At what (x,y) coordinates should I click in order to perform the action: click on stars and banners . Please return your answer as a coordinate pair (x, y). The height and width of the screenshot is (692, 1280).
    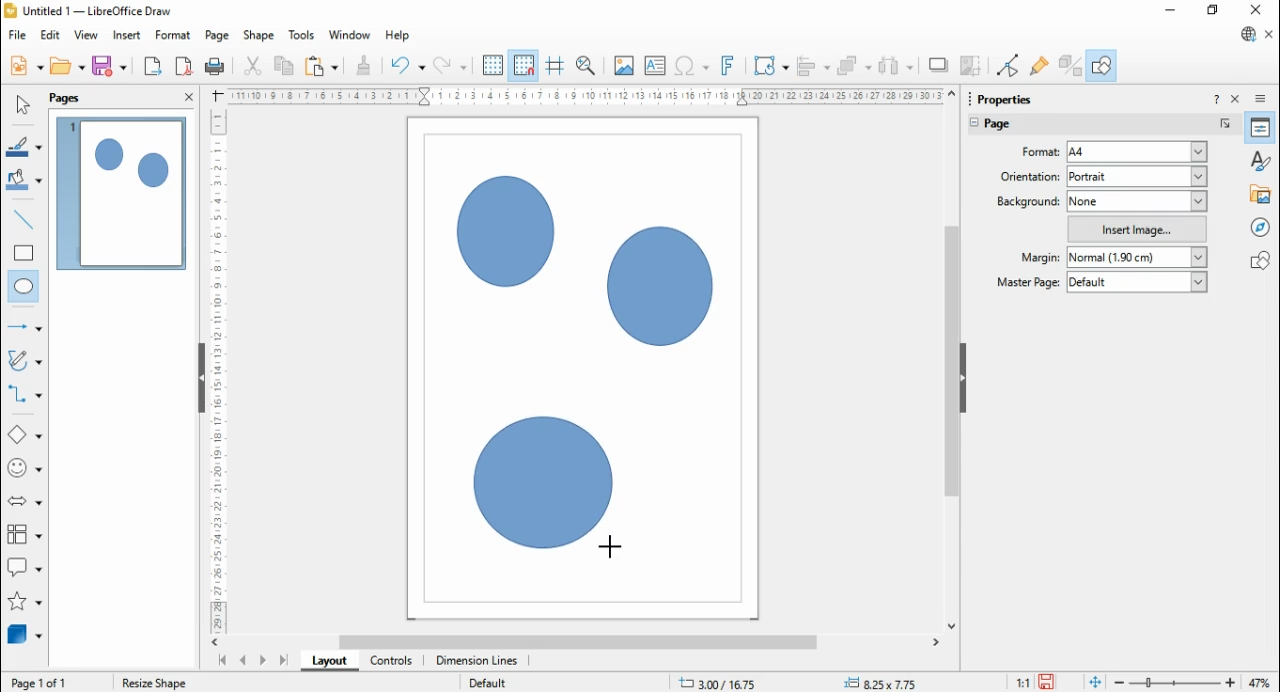
    Looking at the image, I should click on (23, 603).